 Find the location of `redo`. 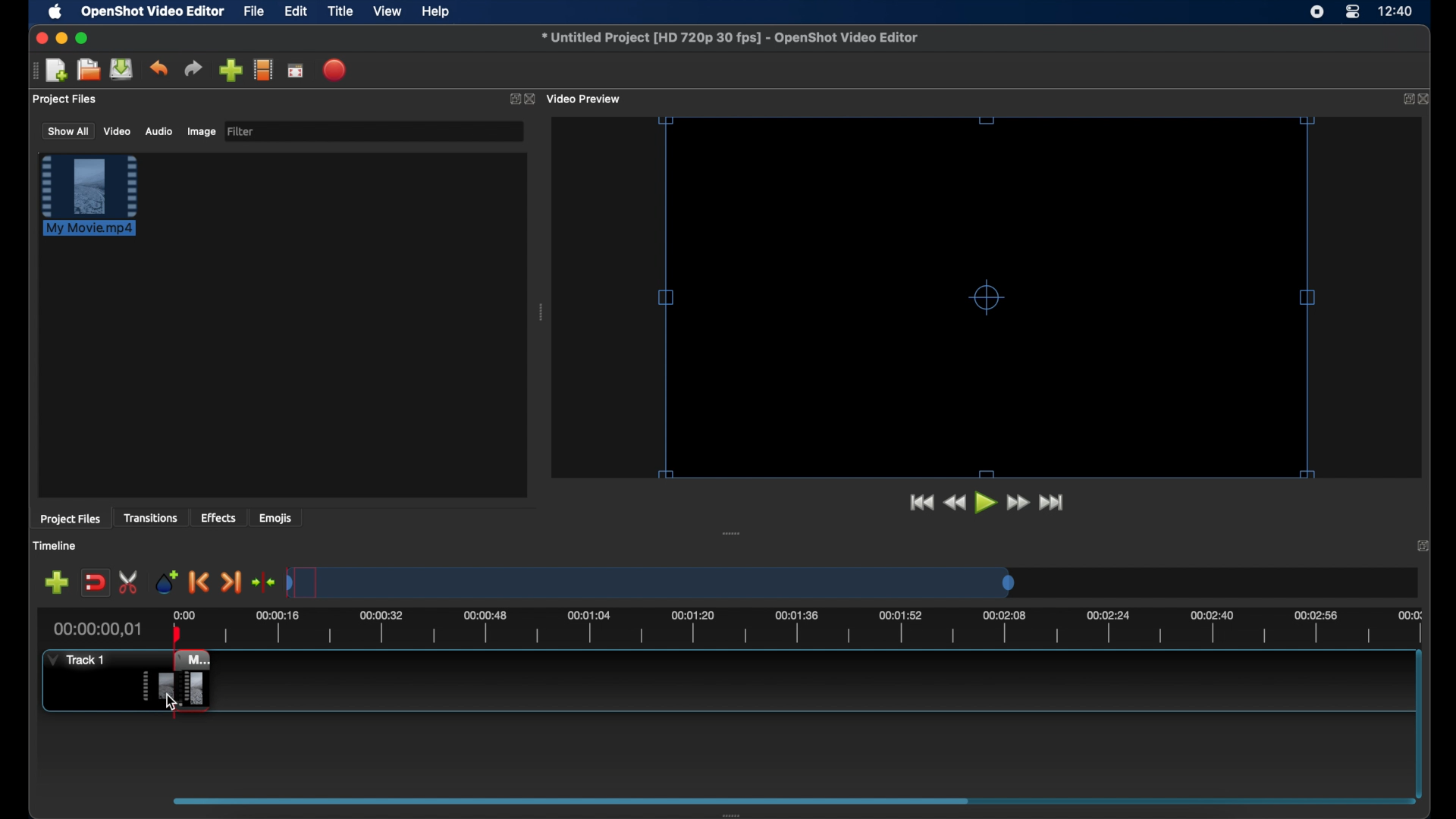

redo is located at coordinates (193, 69).